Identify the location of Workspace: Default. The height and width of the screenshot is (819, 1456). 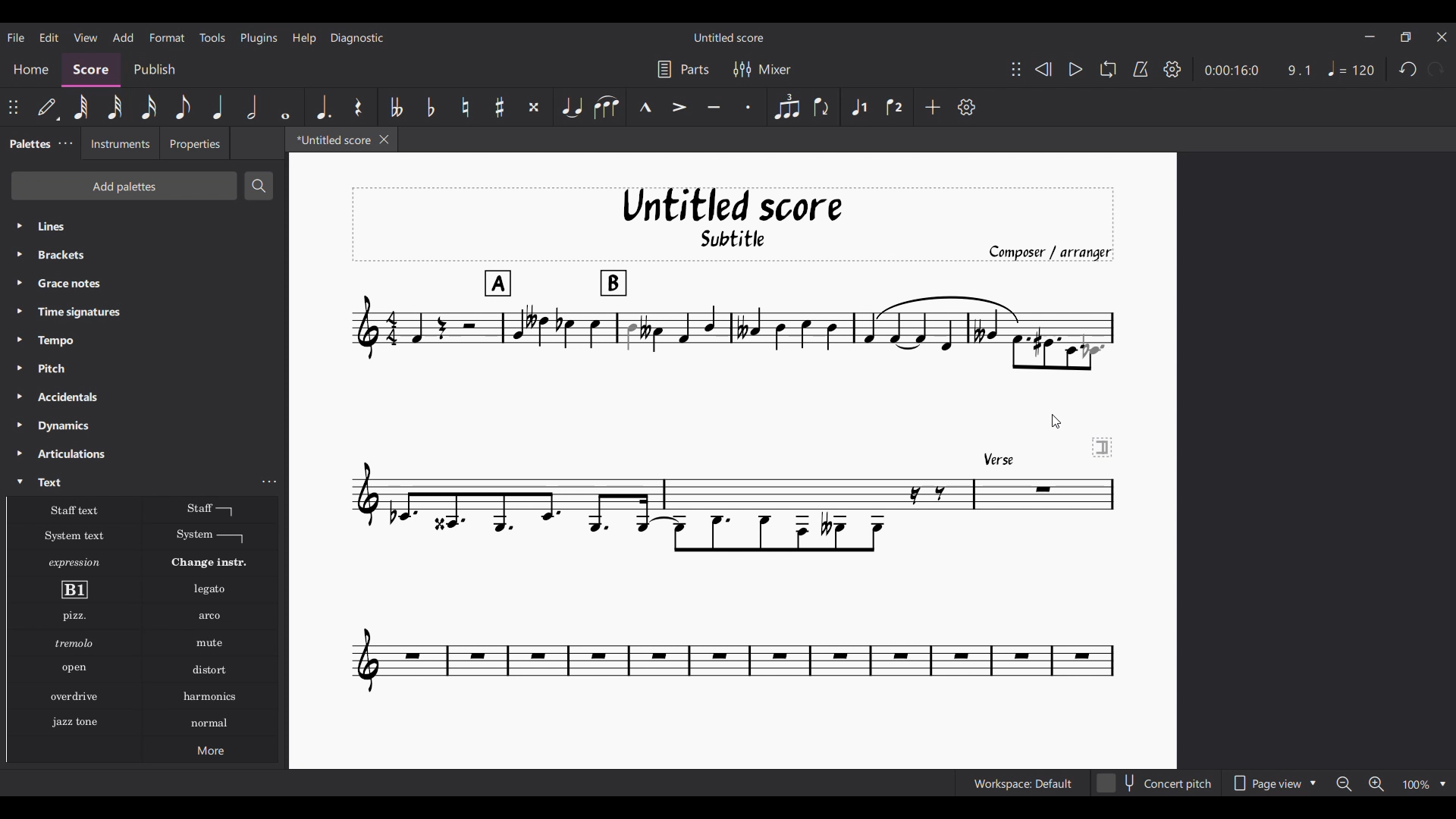
(1023, 783).